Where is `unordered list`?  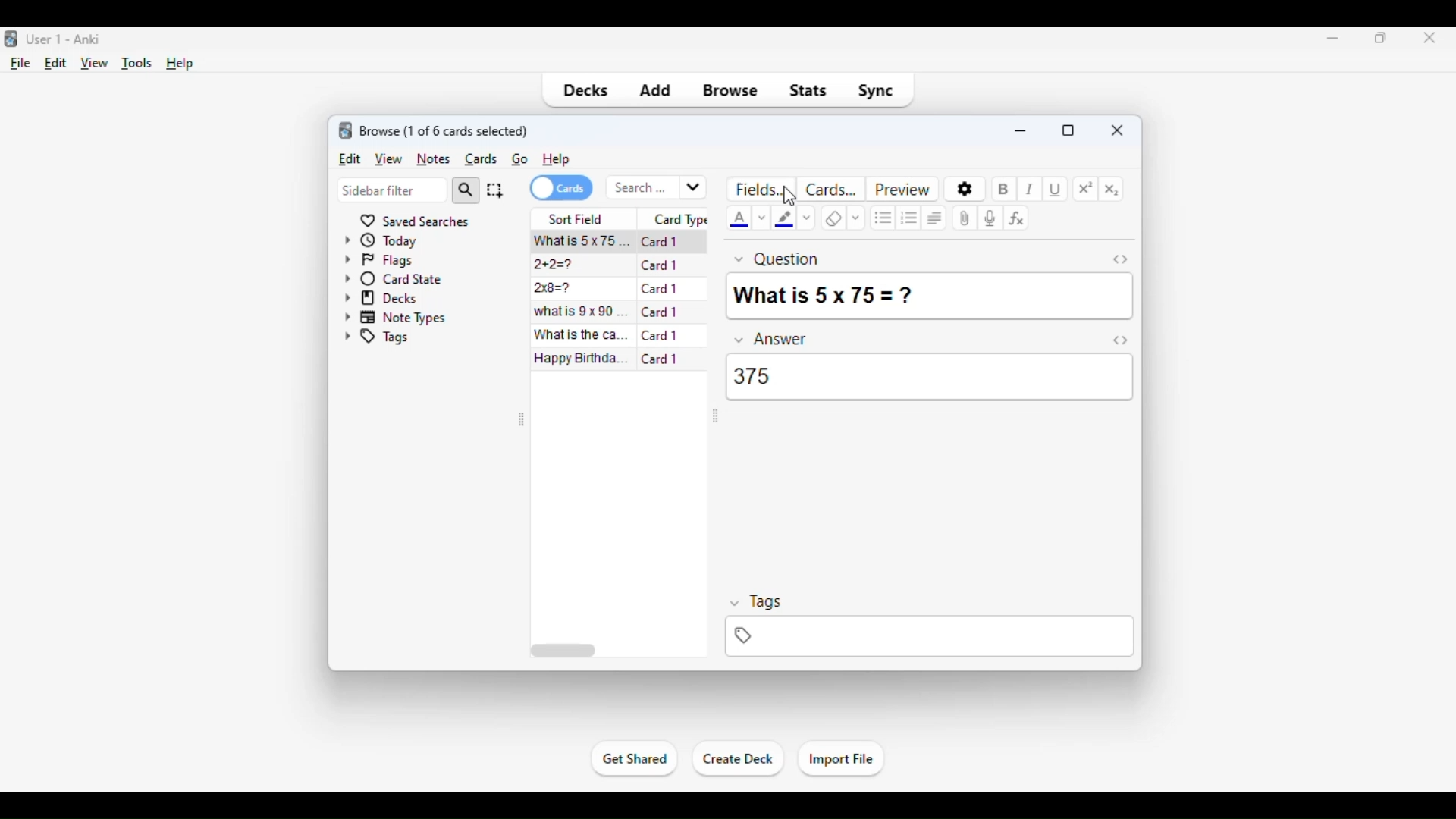 unordered list is located at coordinates (883, 217).